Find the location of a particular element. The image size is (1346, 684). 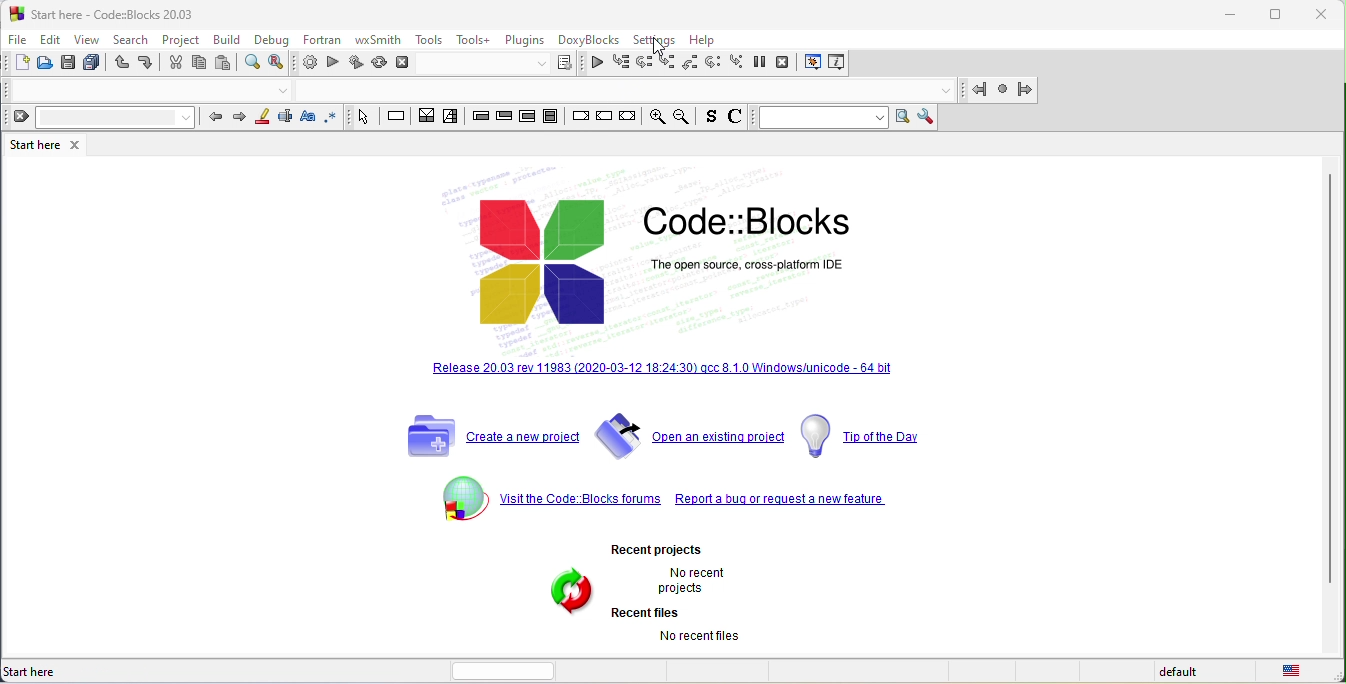

next line is located at coordinates (643, 67).